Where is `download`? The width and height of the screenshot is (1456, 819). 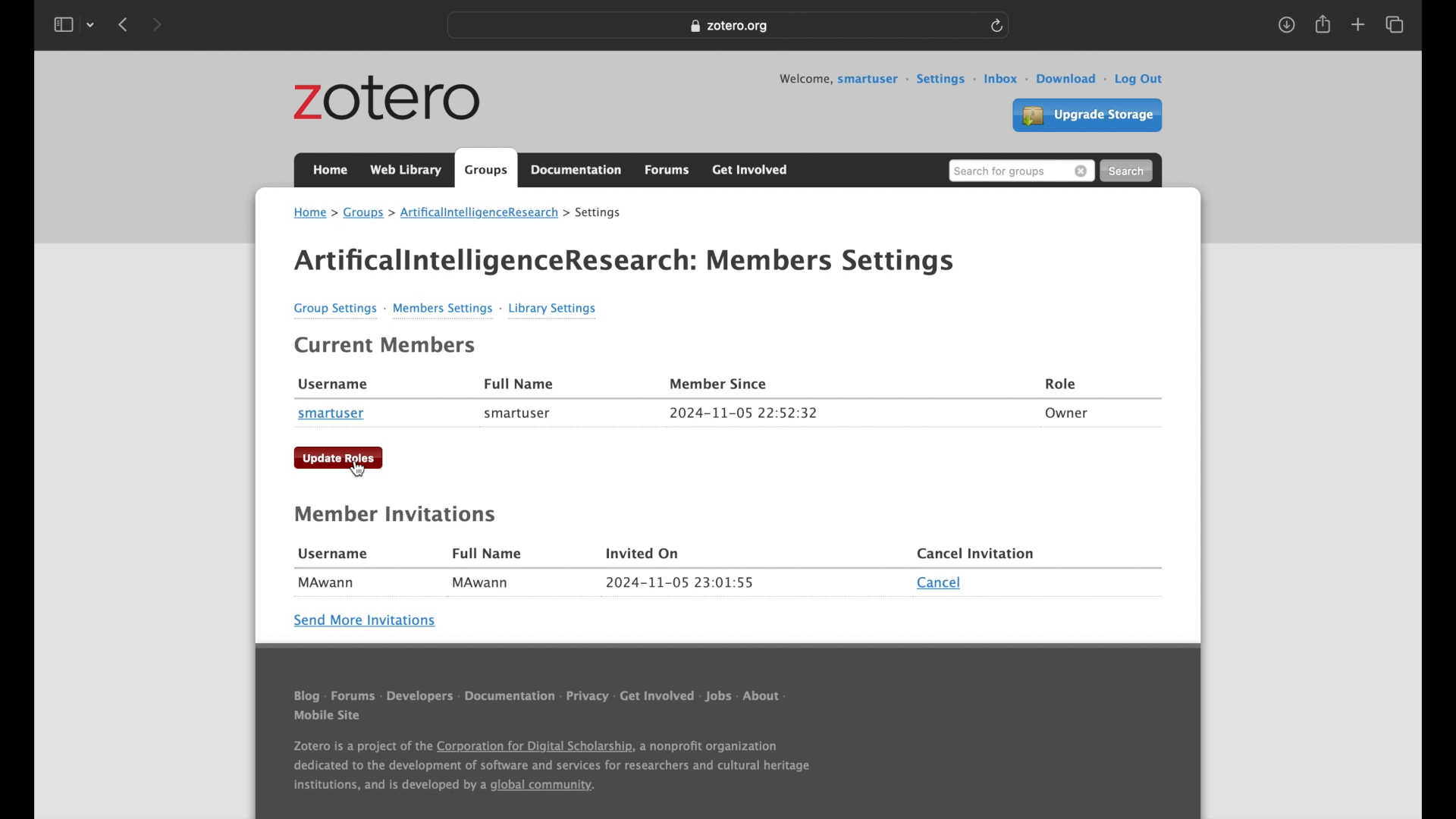
download is located at coordinates (1287, 26).